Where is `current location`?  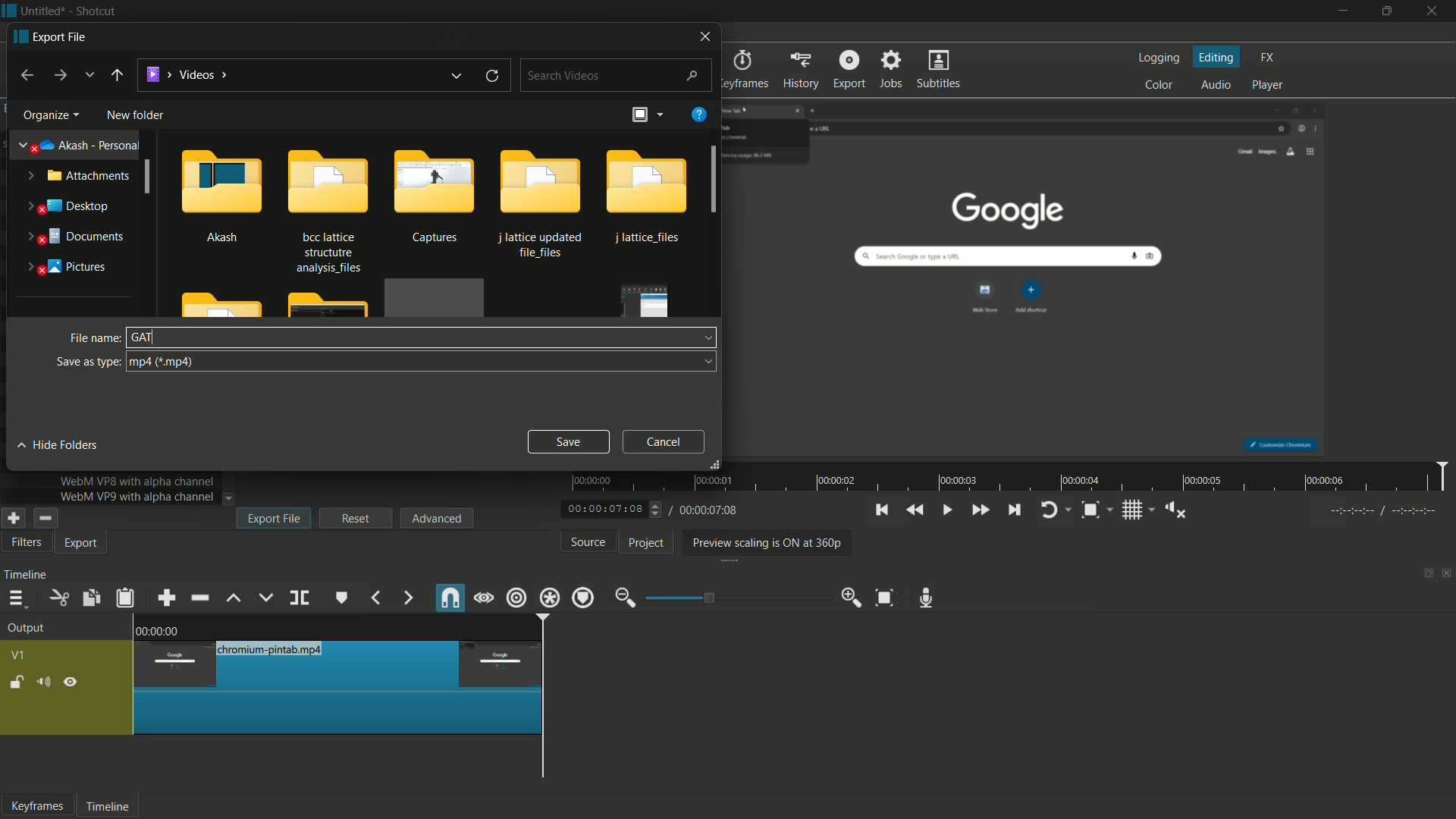
current location is located at coordinates (186, 74).